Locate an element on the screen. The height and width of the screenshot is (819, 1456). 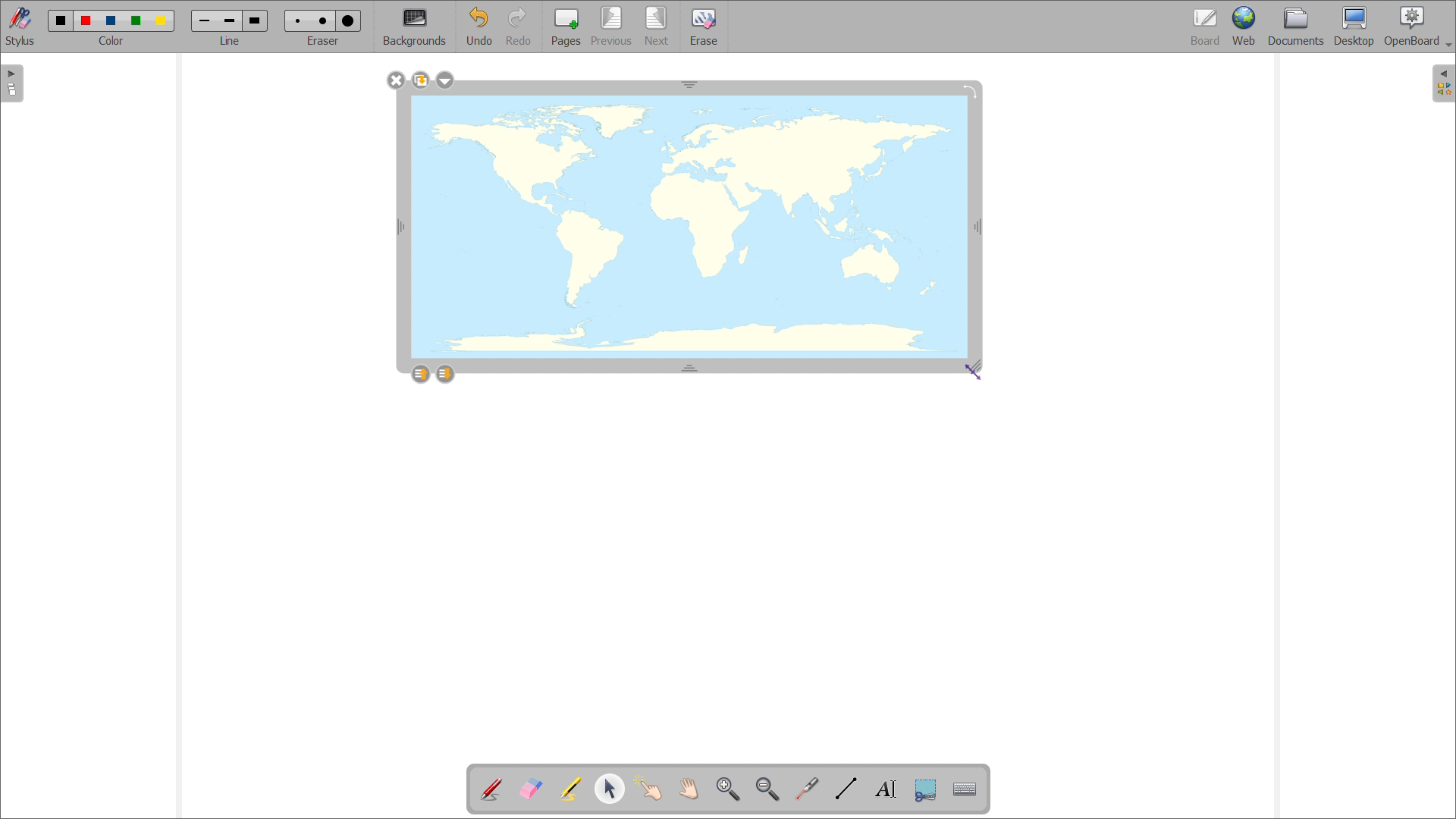
toggle stylus is located at coordinates (20, 27).